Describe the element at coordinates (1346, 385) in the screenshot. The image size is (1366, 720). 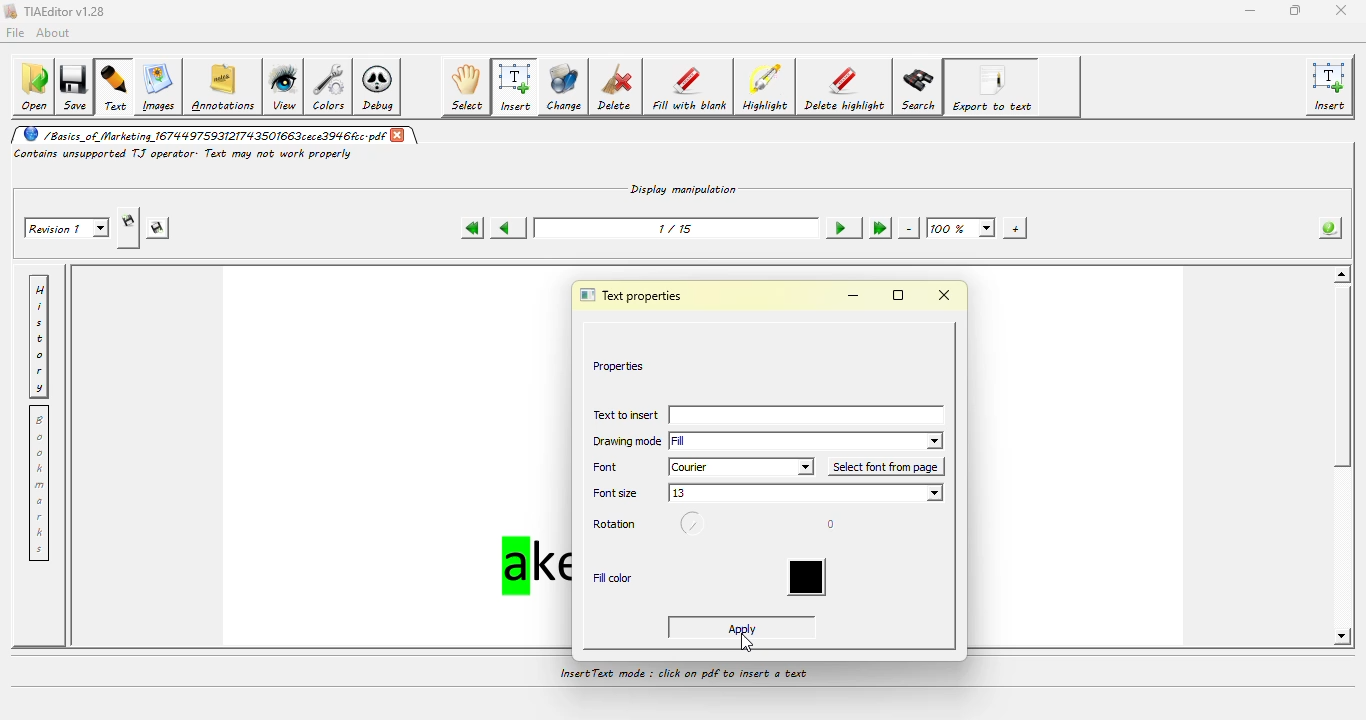
I see `scroll bar` at that location.